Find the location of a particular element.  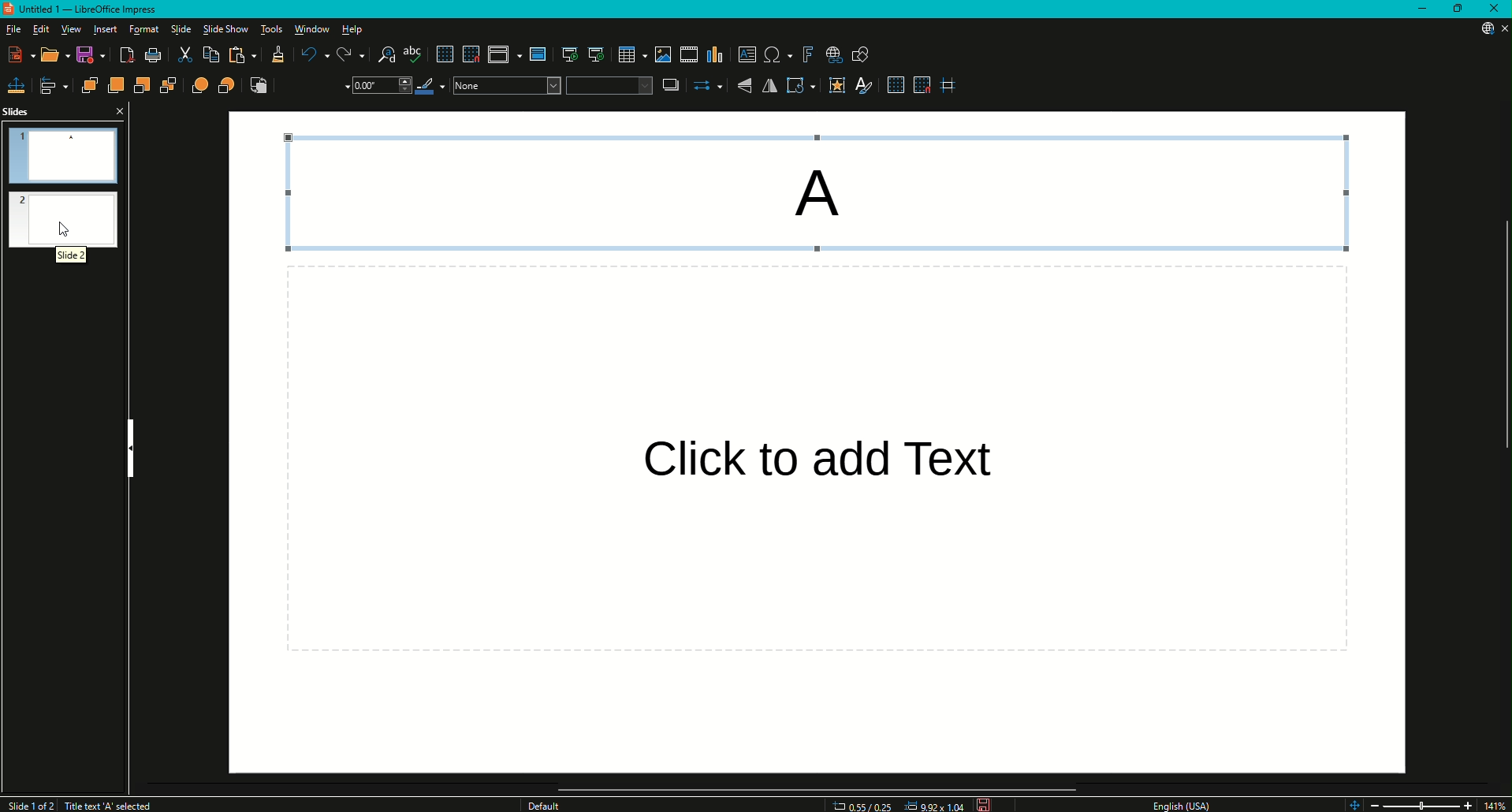

Table is located at coordinates (628, 52).